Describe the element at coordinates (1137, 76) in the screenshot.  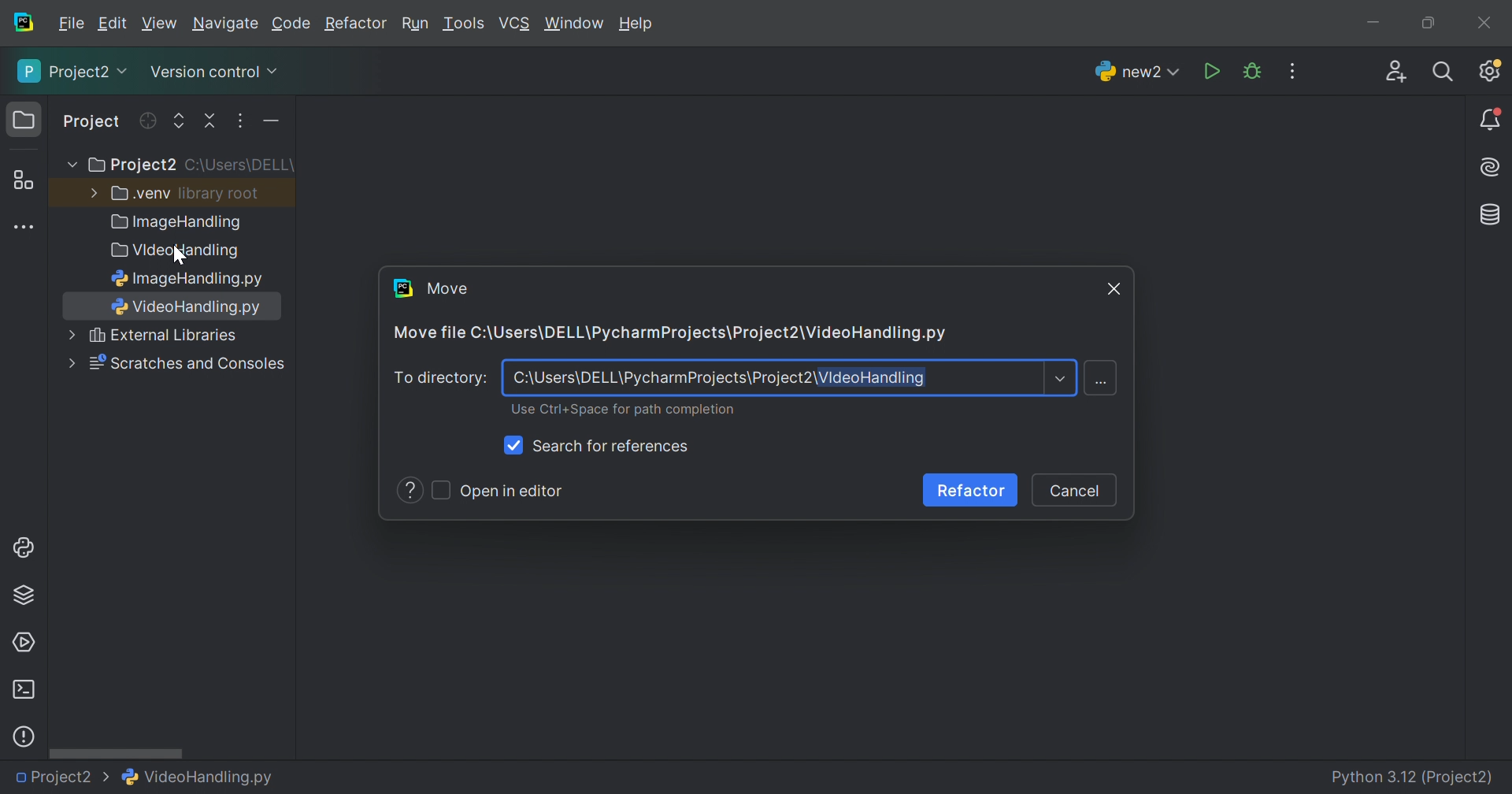
I see `new2` at that location.